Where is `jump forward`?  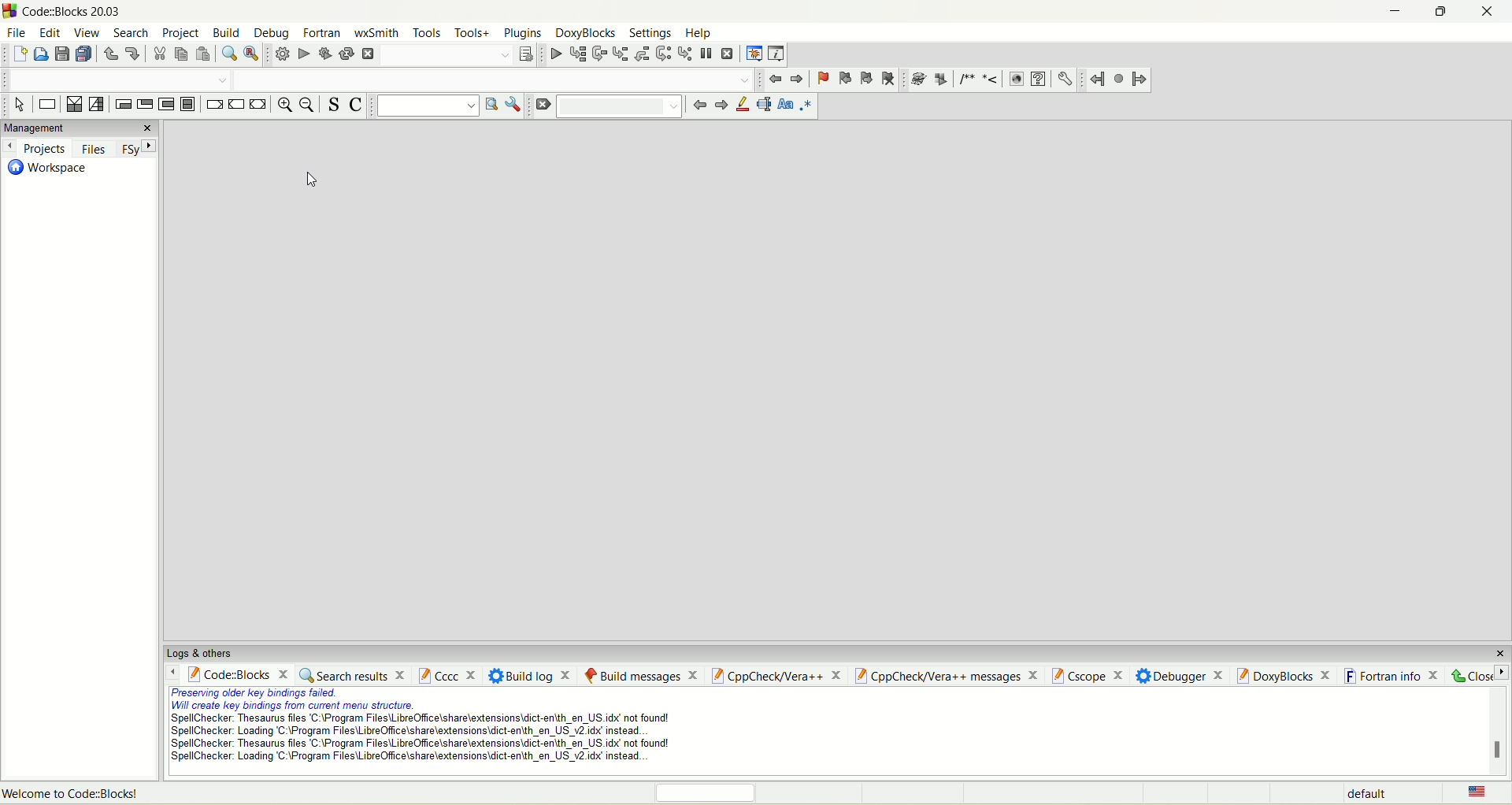
jump forward is located at coordinates (1137, 80).